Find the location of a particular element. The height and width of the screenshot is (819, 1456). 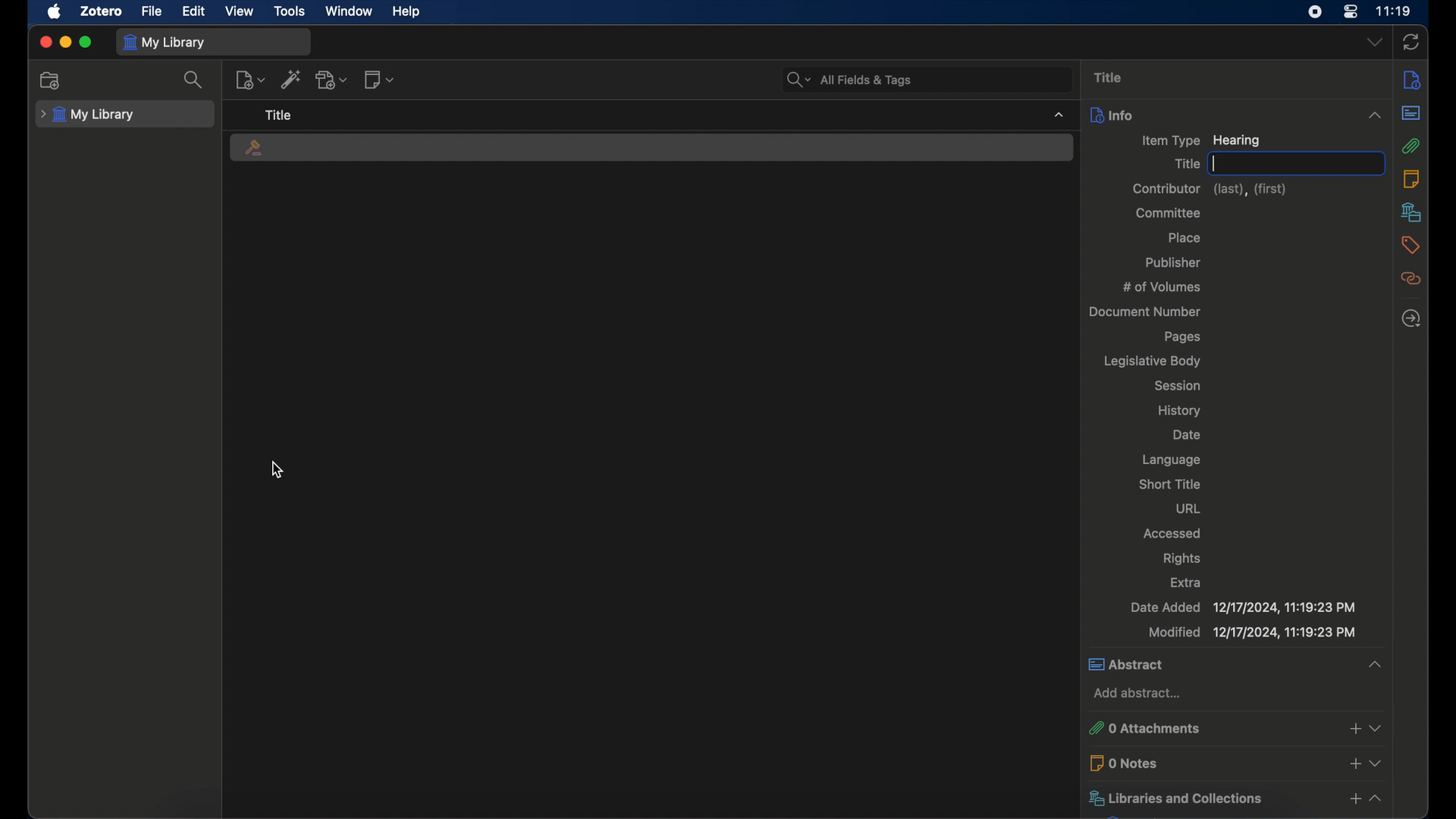

libraries is located at coordinates (1411, 212).